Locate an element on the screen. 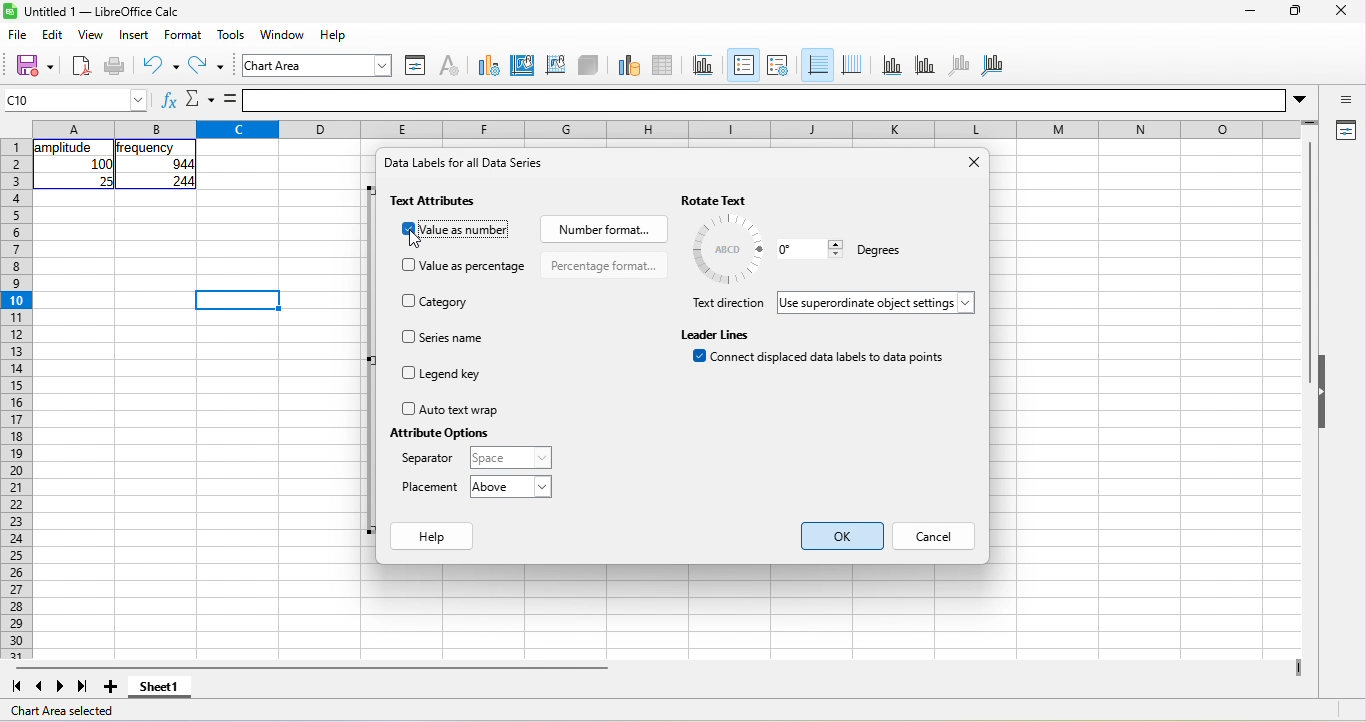 This screenshot has width=1366, height=722. horizontal scroll bar is located at coordinates (311, 668).